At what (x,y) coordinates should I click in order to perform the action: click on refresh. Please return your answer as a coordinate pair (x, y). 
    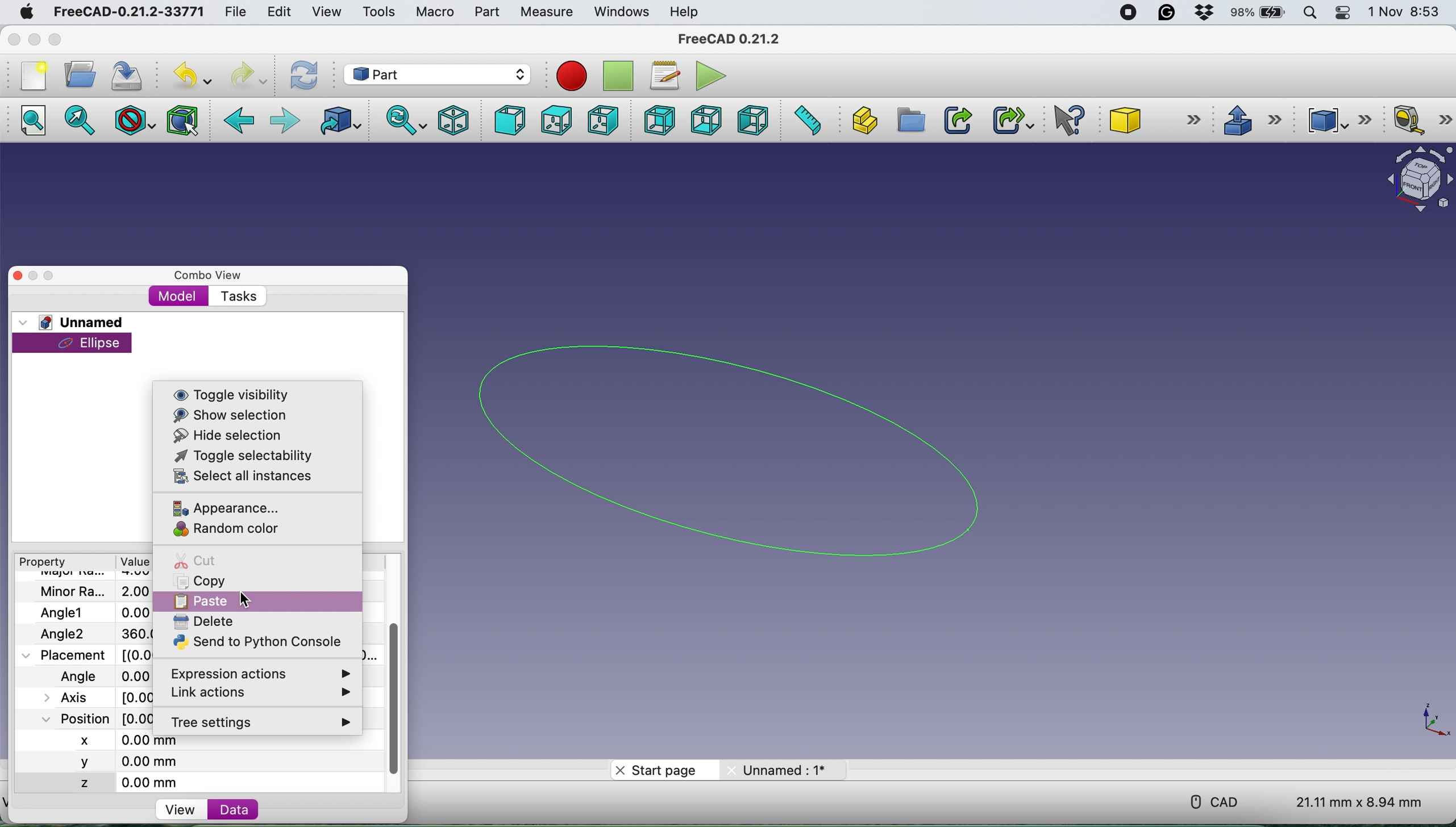
    Looking at the image, I should click on (303, 76).